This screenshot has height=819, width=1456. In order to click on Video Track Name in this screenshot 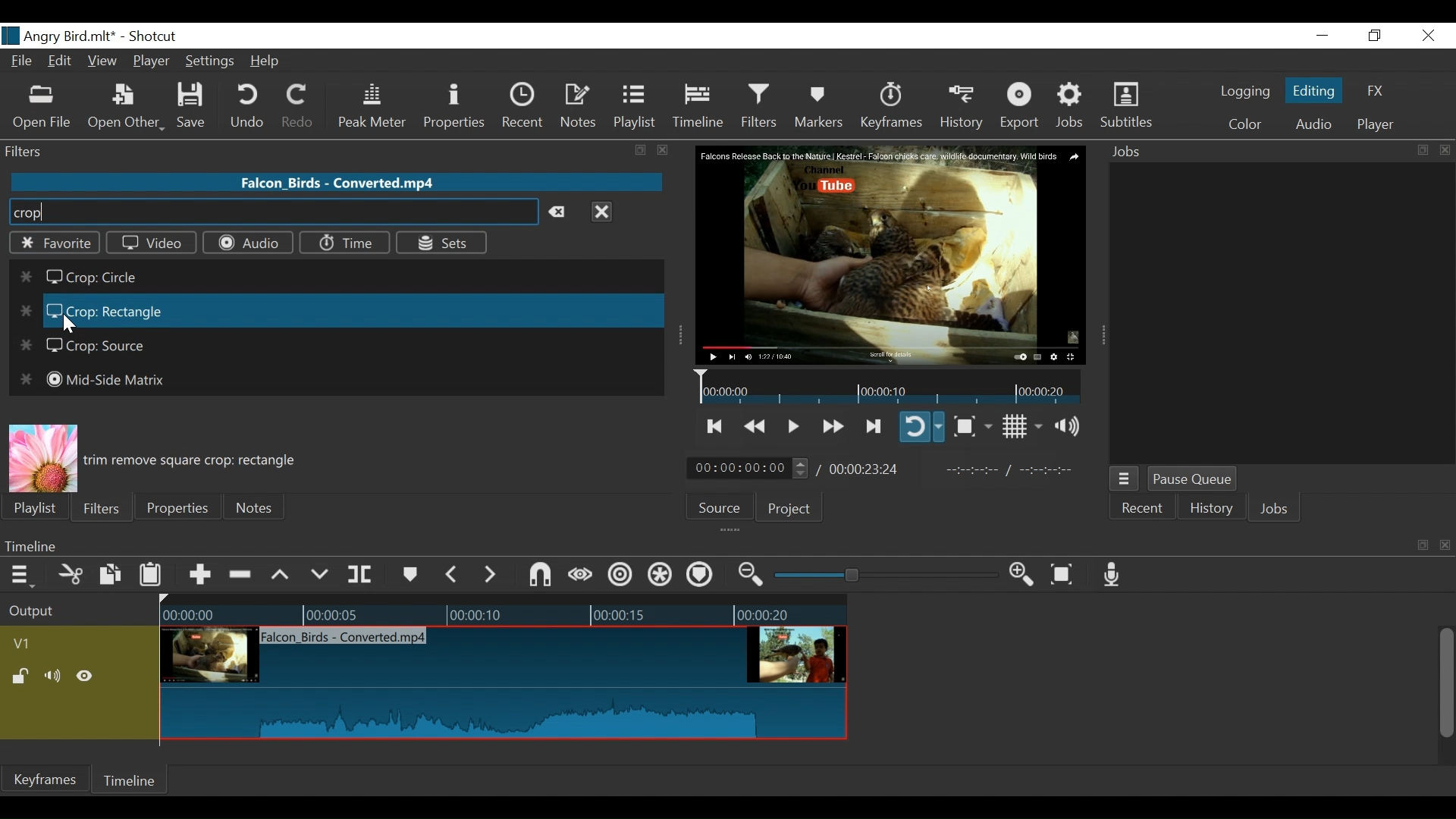, I will do `click(66, 645)`.